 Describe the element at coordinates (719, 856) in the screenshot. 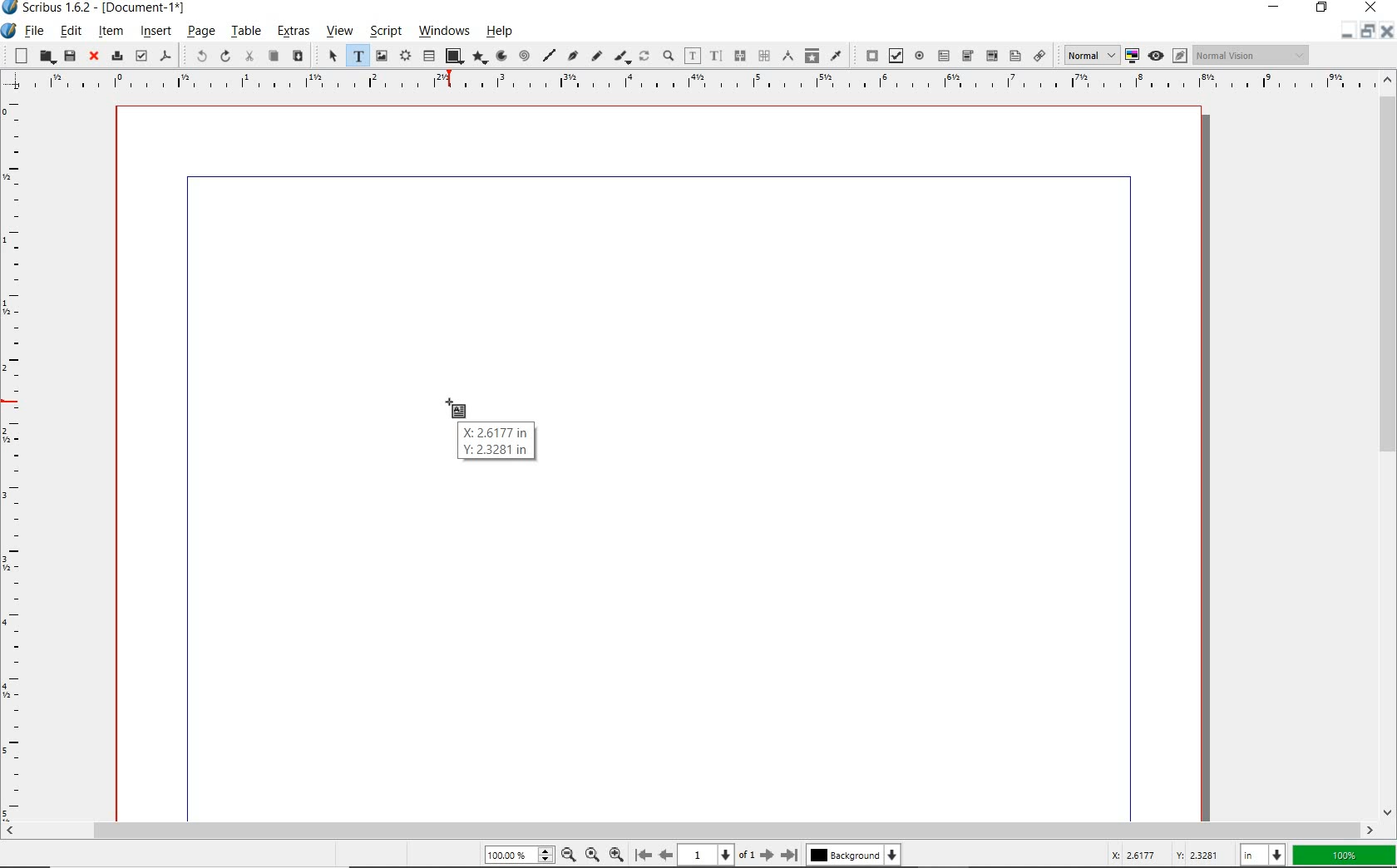

I see `1 of 1` at that location.